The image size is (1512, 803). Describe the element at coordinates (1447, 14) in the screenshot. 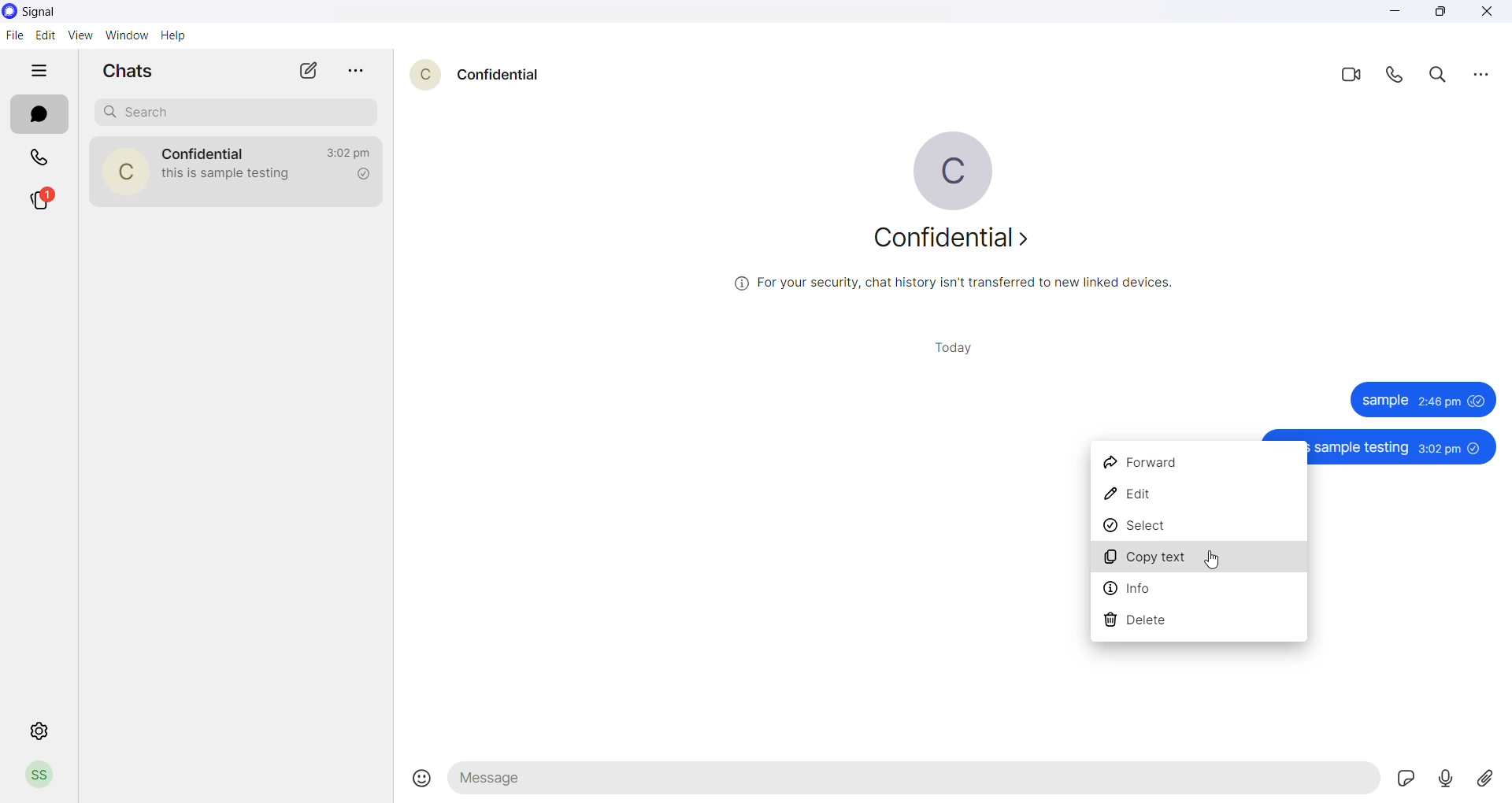

I see `maximize` at that location.